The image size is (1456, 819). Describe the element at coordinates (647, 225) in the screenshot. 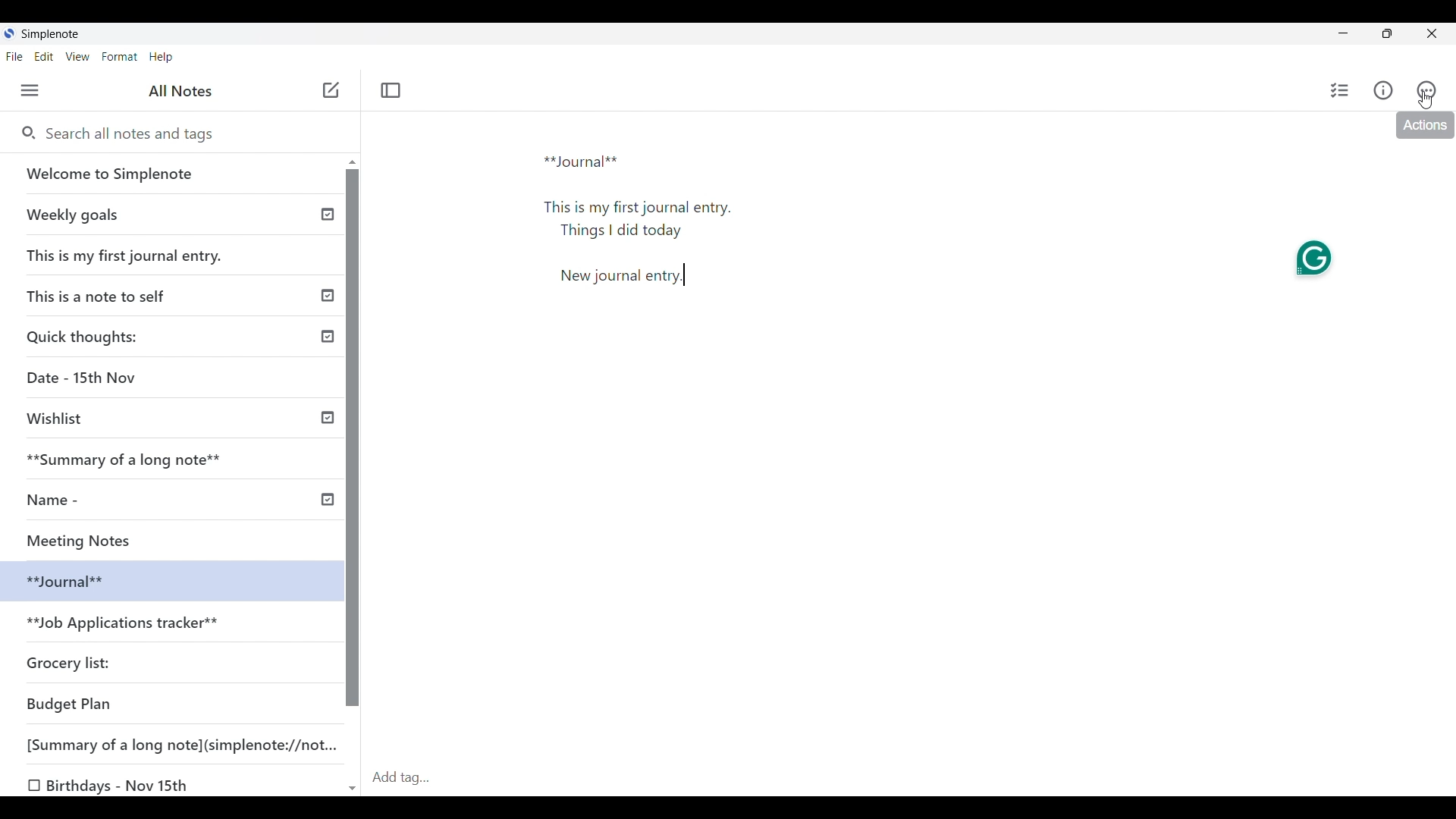

I see `Existing text in current note` at that location.